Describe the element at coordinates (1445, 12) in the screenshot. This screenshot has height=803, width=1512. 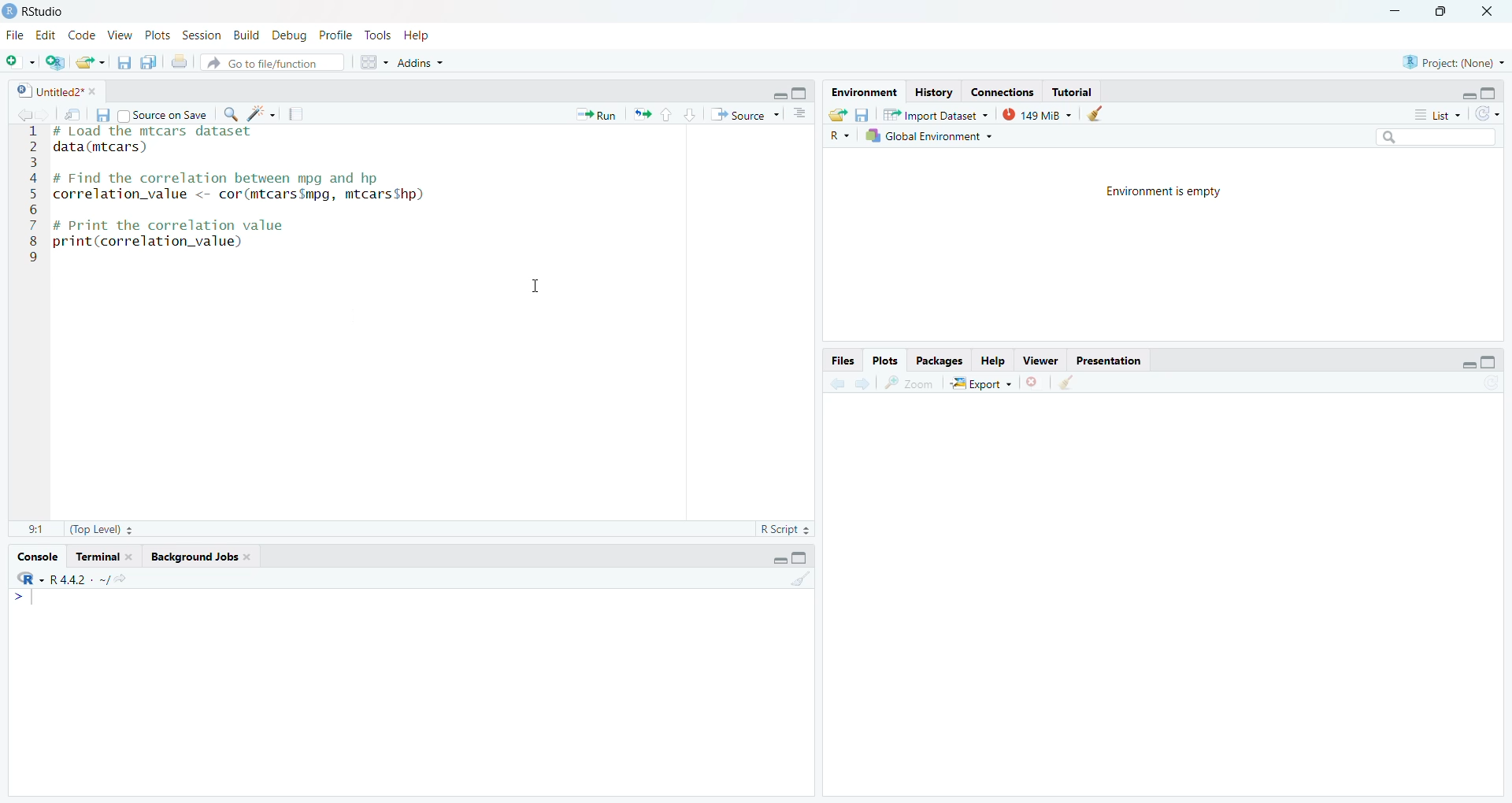
I see `Maximize/Restore` at that location.